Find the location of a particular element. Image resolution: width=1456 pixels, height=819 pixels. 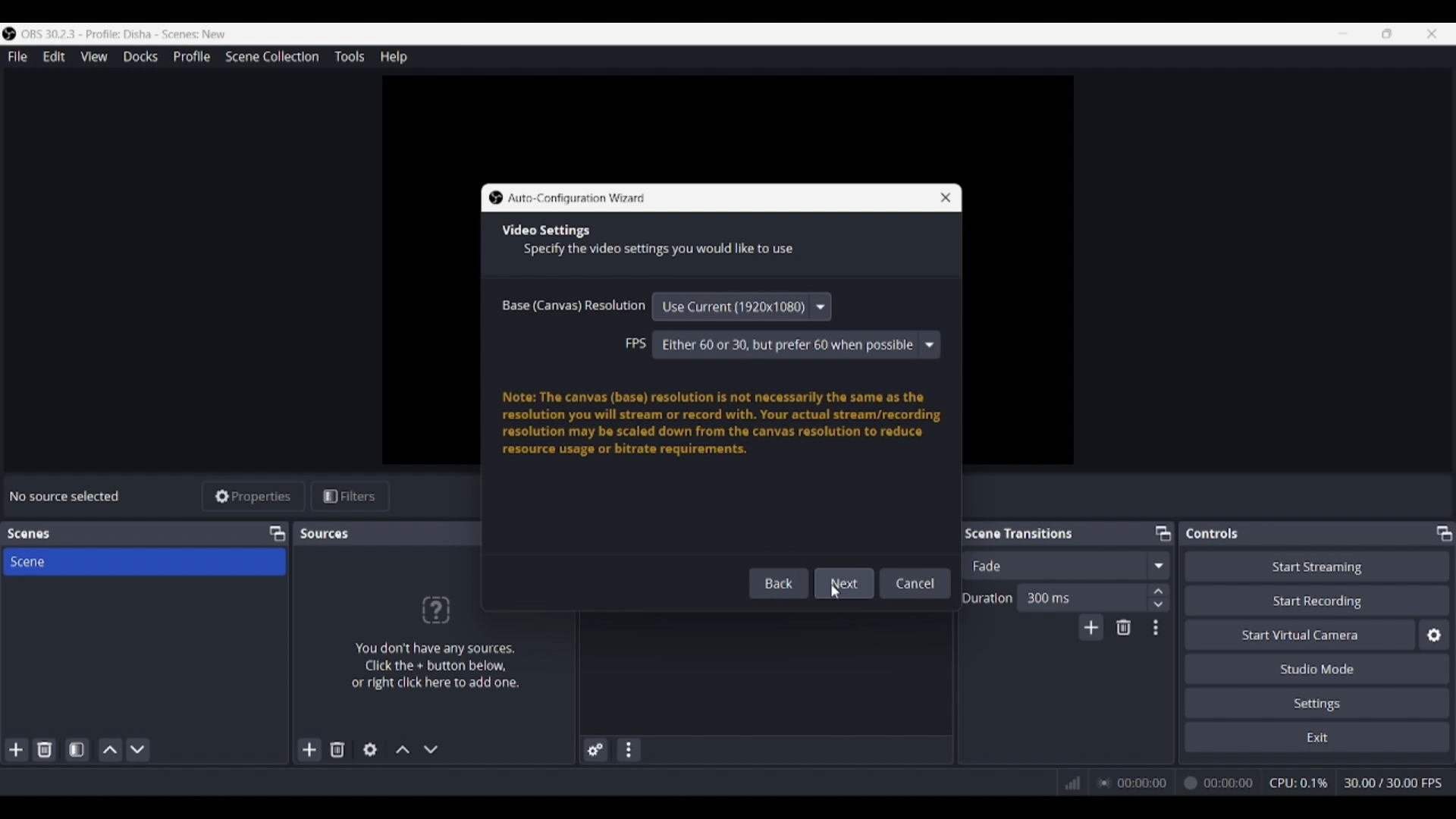

Panel title is located at coordinates (1019, 532).